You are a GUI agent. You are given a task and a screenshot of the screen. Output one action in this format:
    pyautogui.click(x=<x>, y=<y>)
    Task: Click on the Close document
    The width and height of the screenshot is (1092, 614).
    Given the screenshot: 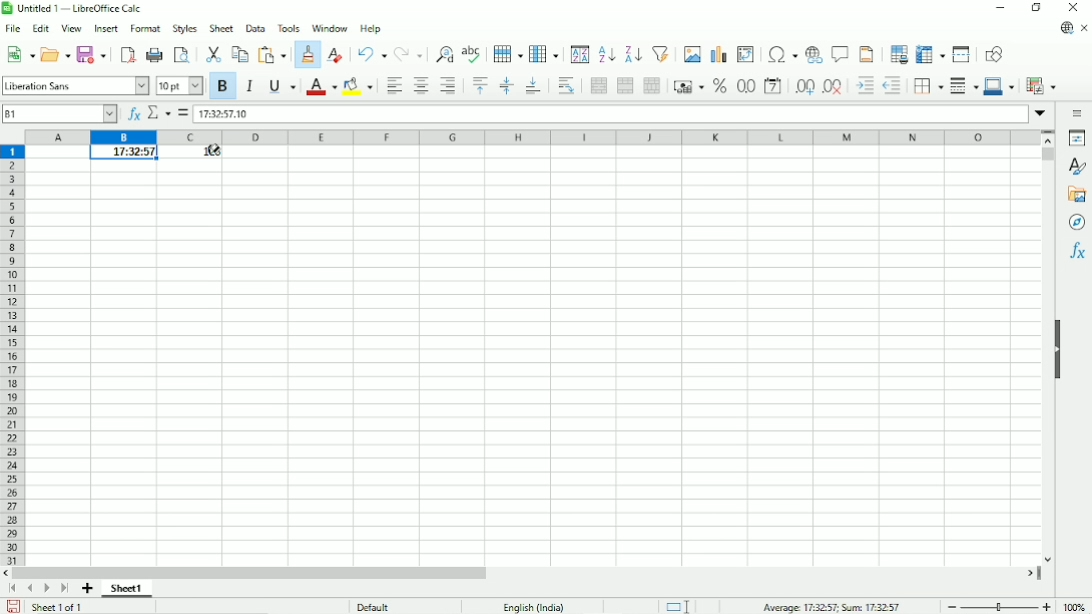 What is the action you would take?
    pyautogui.click(x=1084, y=28)
    